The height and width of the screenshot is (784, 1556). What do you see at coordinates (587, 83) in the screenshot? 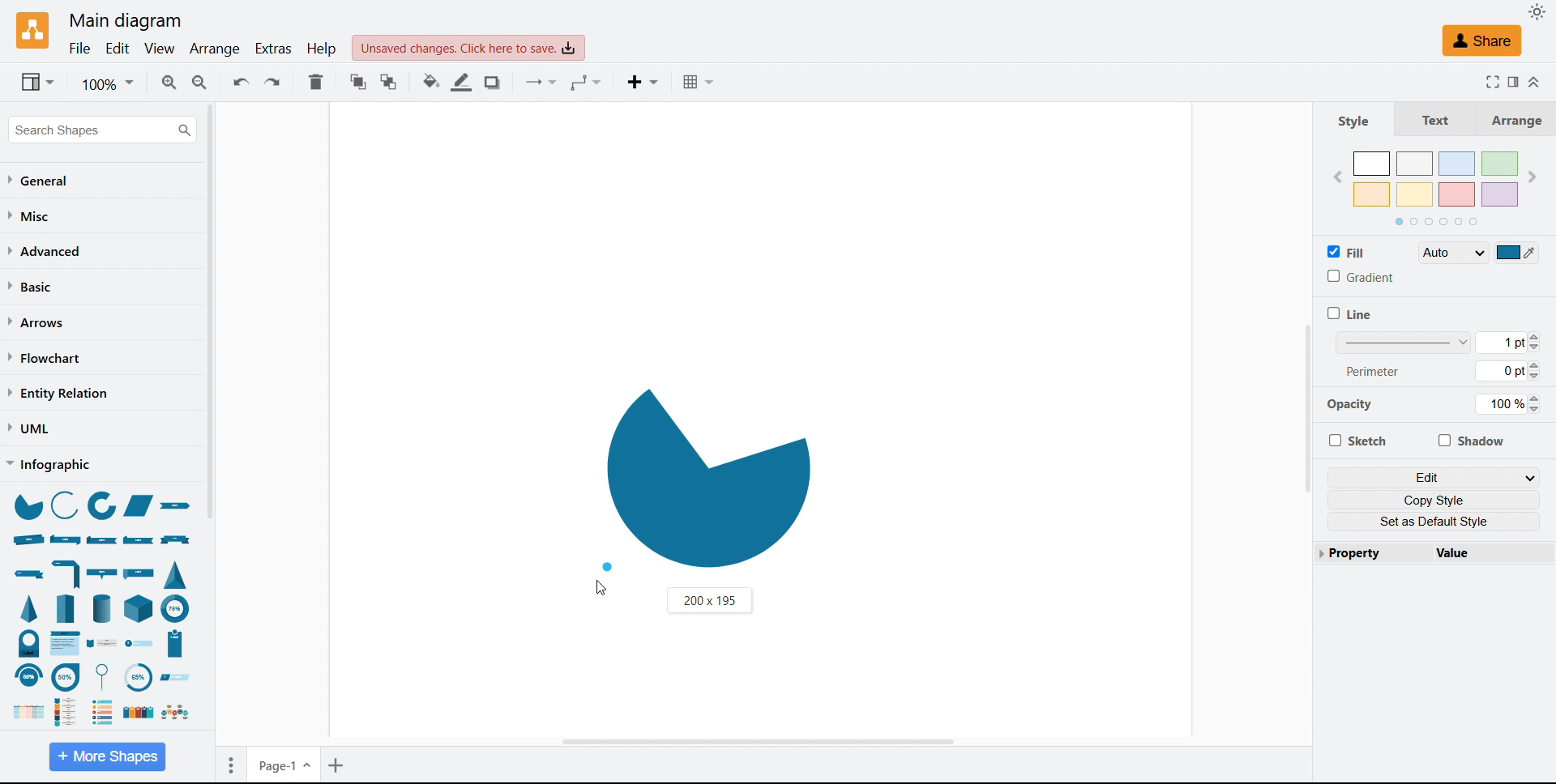
I see `Waypoints ` at bounding box center [587, 83].